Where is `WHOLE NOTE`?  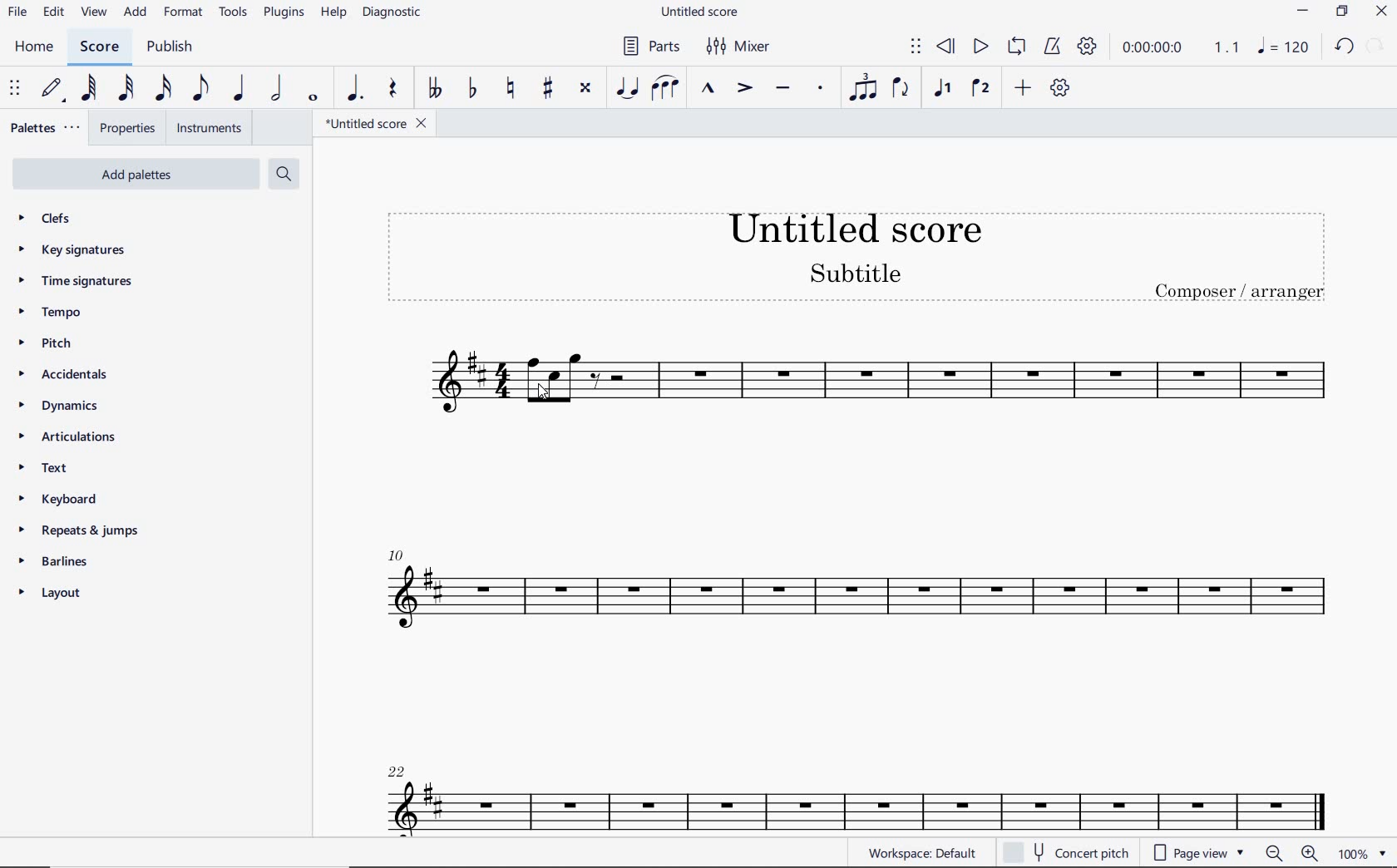
WHOLE NOTE is located at coordinates (313, 99).